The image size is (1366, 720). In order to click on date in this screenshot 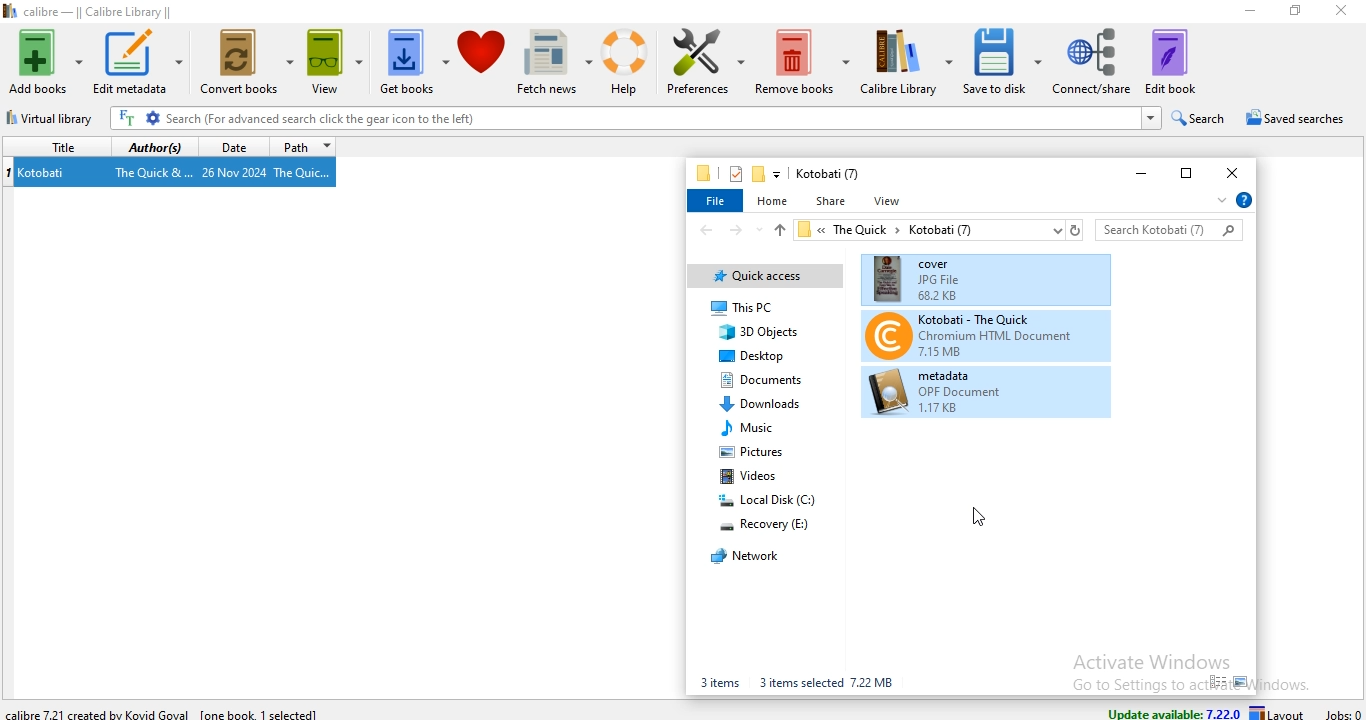, I will do `click(229, 146)`.